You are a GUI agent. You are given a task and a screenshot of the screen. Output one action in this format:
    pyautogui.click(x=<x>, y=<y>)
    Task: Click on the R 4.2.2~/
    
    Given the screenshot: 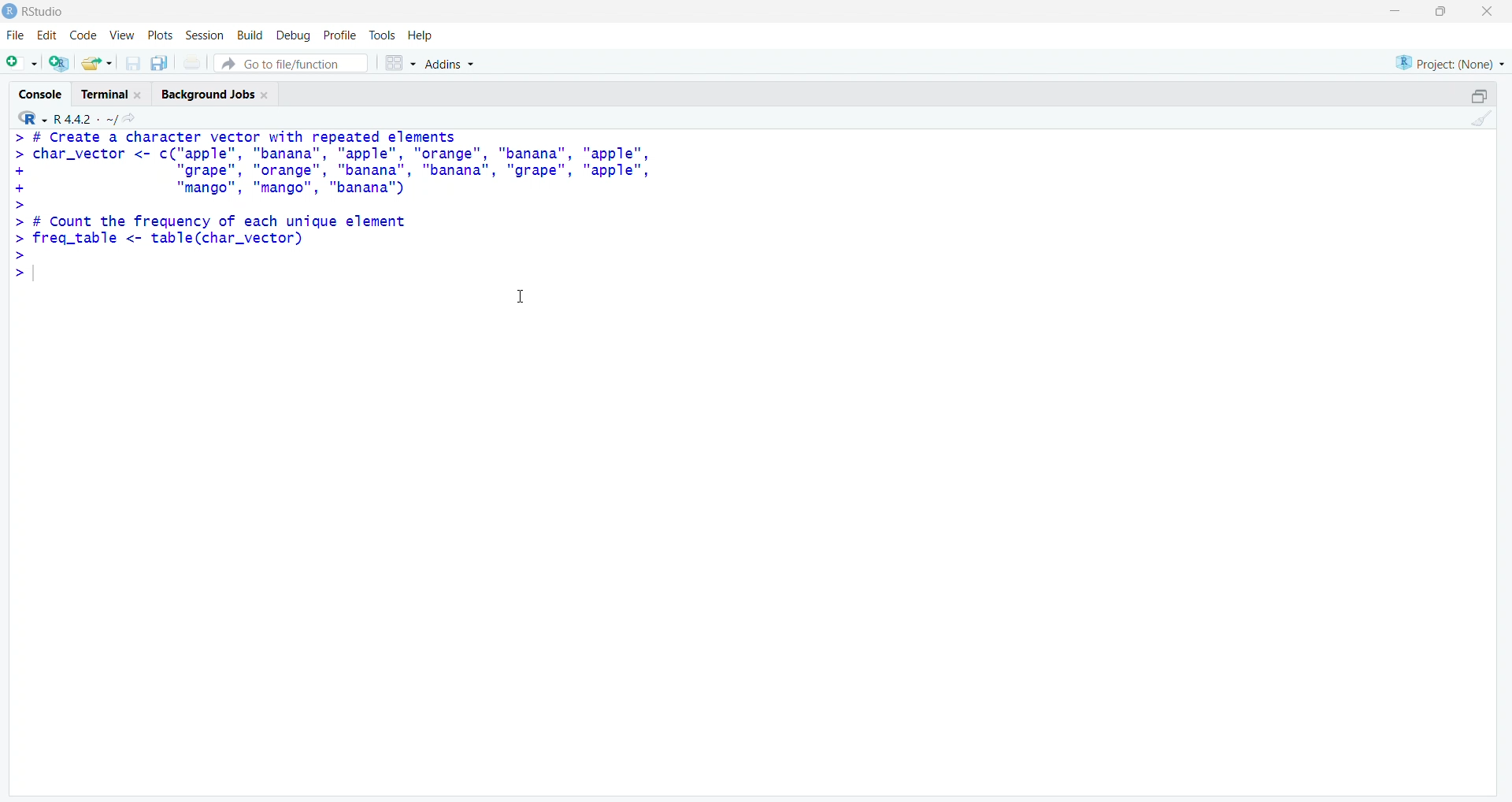 What is the action you would take?
    pyautogui.click(x=81, y=117)
    